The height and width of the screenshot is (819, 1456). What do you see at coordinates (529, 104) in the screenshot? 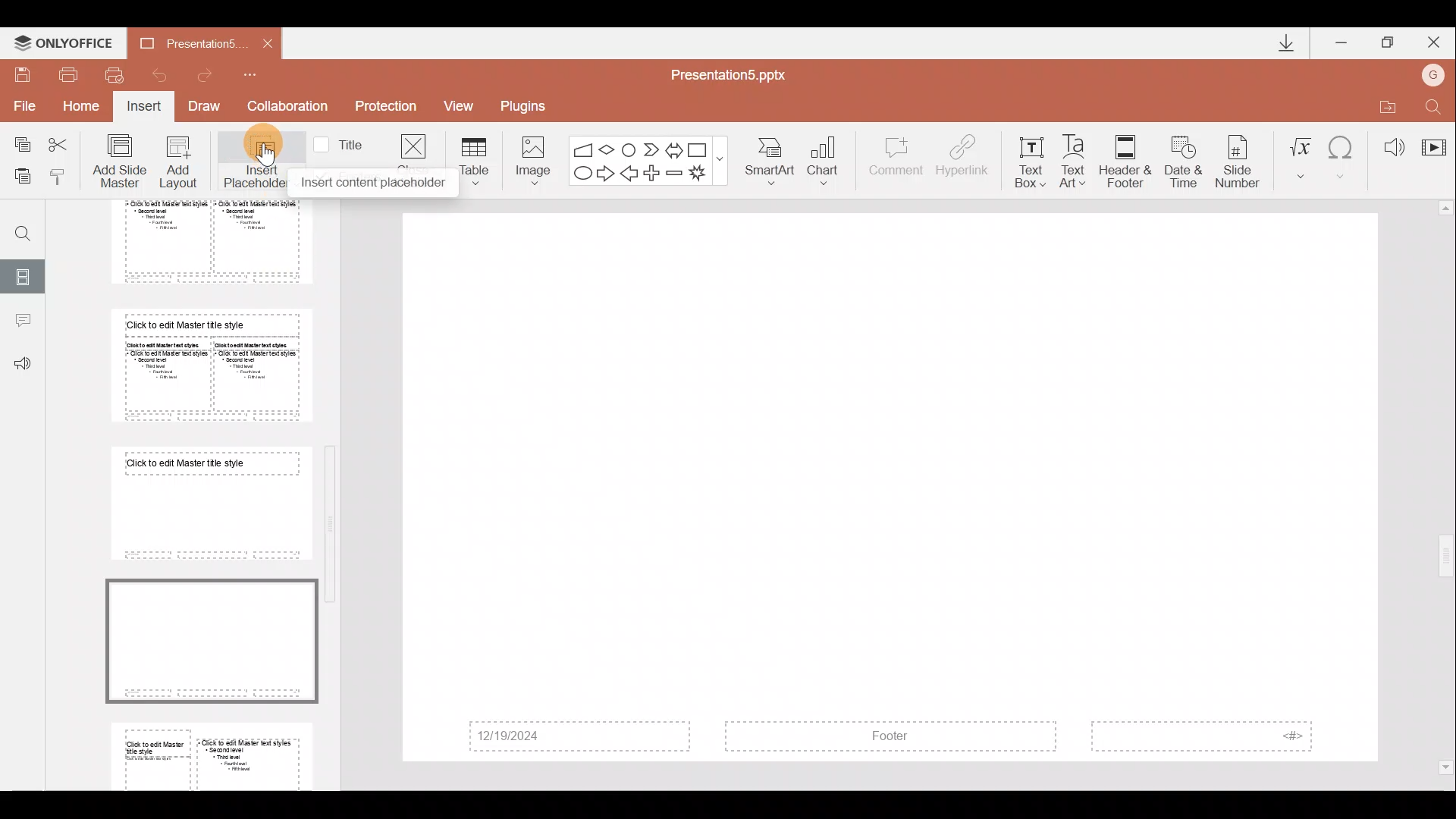
I see `Plugins` at bounding box center [529, 104].